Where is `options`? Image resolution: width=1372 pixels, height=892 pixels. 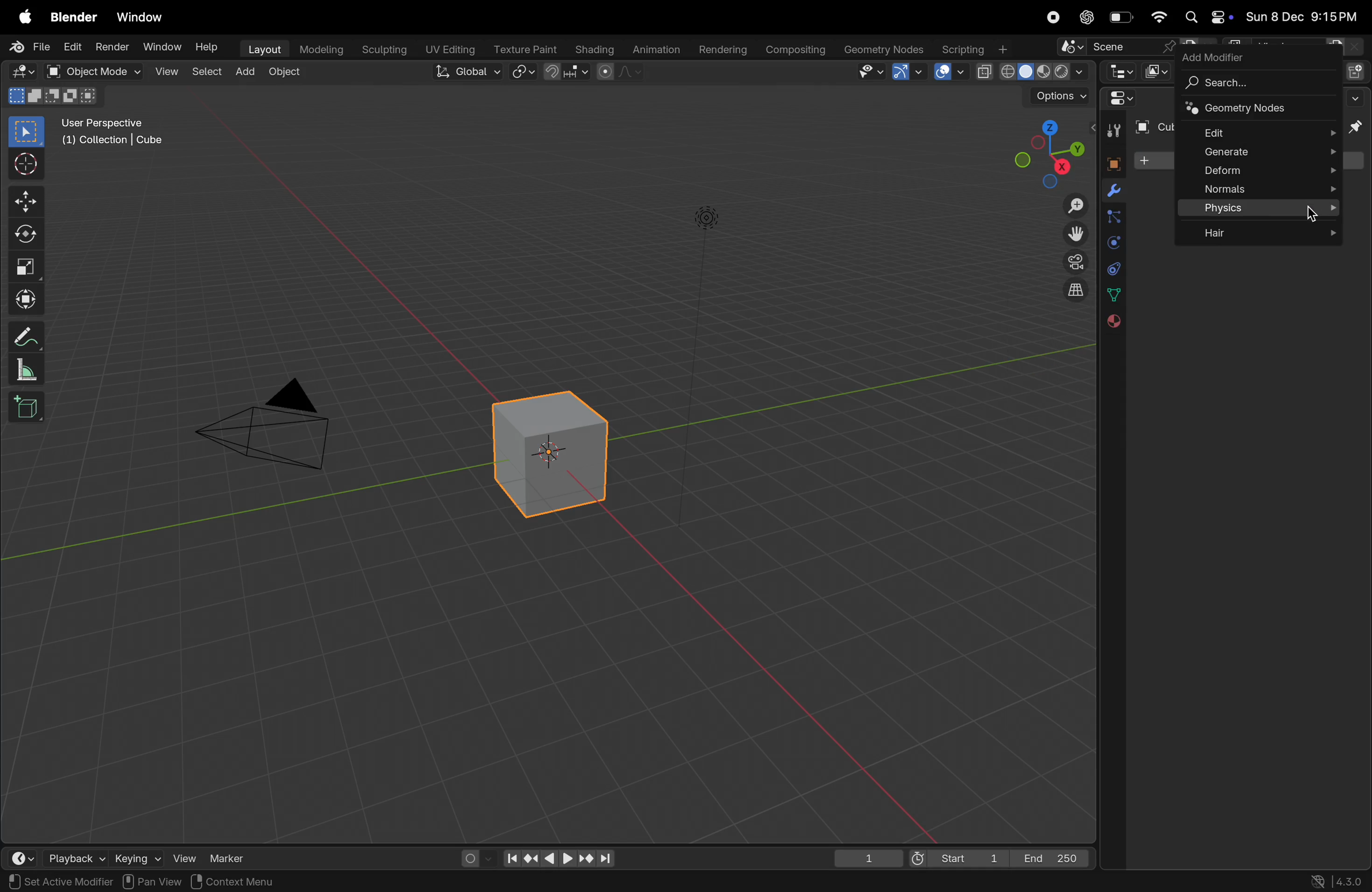
options is located at coordinates (1058, 97).